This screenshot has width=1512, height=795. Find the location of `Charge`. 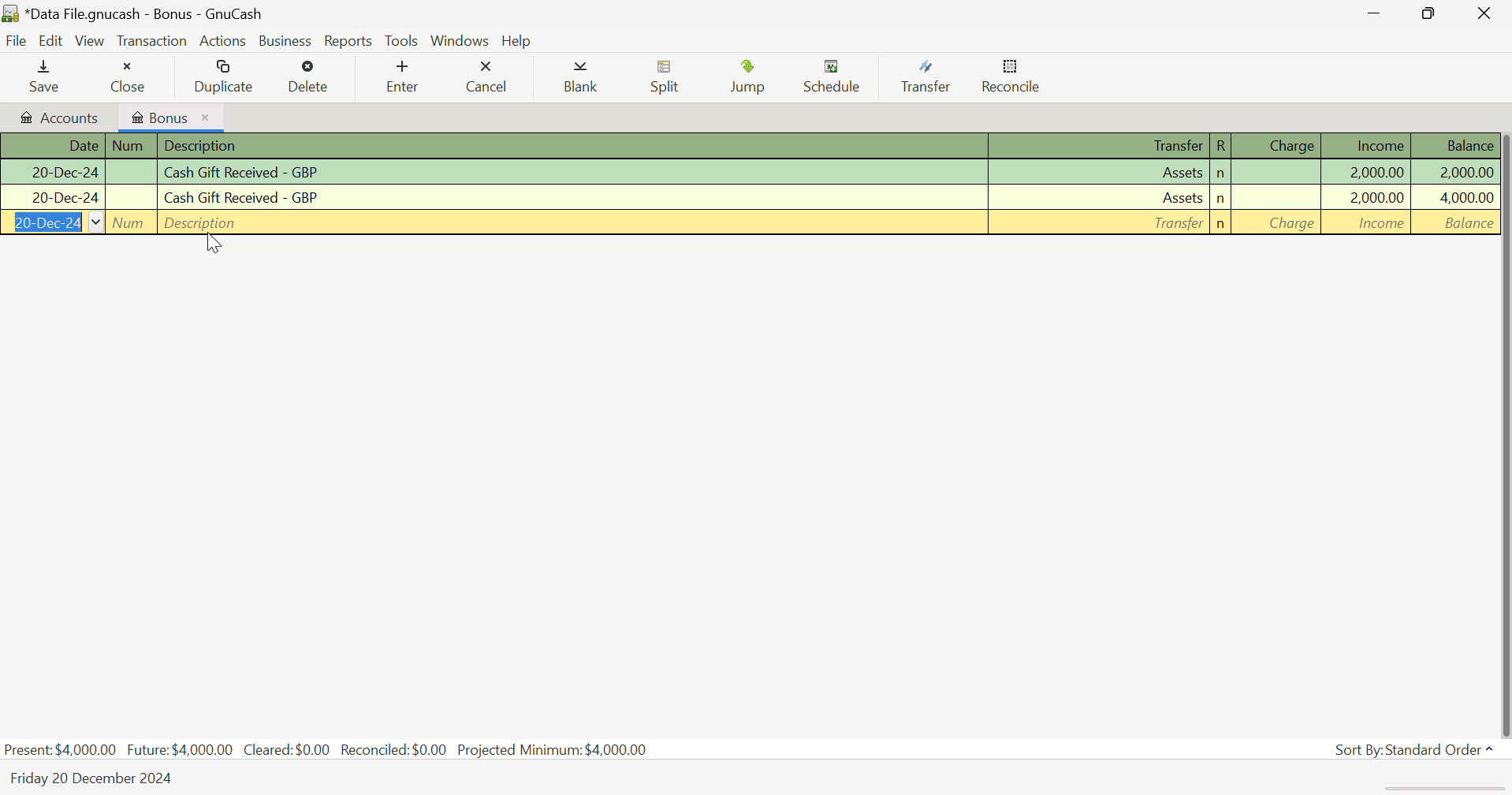

Charge is located at coordinates (1278, 145).